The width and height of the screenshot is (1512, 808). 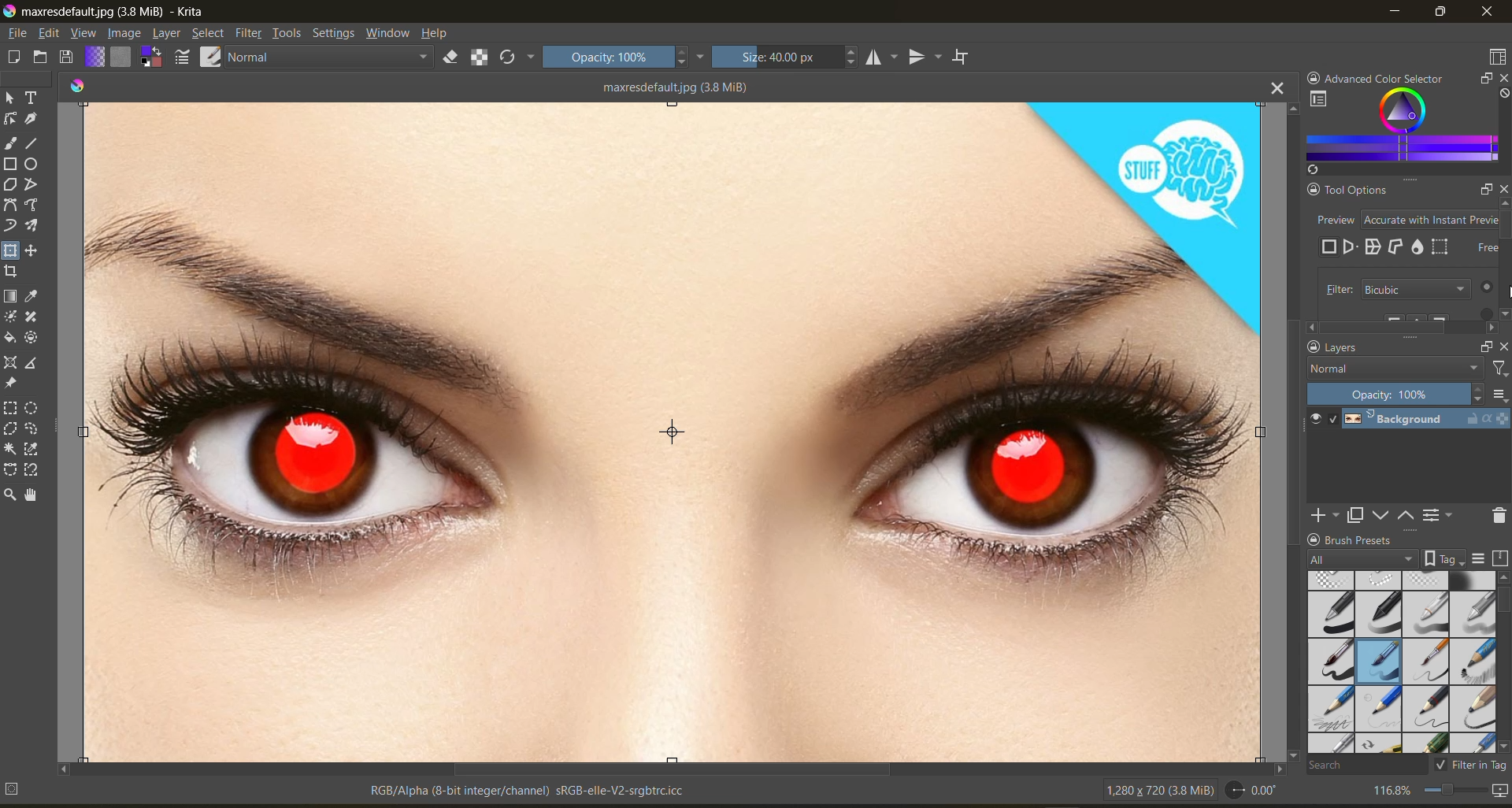 What do you see at coordinates (54, 34) in the screenshot?
I see `edit` at bounding box center [54, 34].